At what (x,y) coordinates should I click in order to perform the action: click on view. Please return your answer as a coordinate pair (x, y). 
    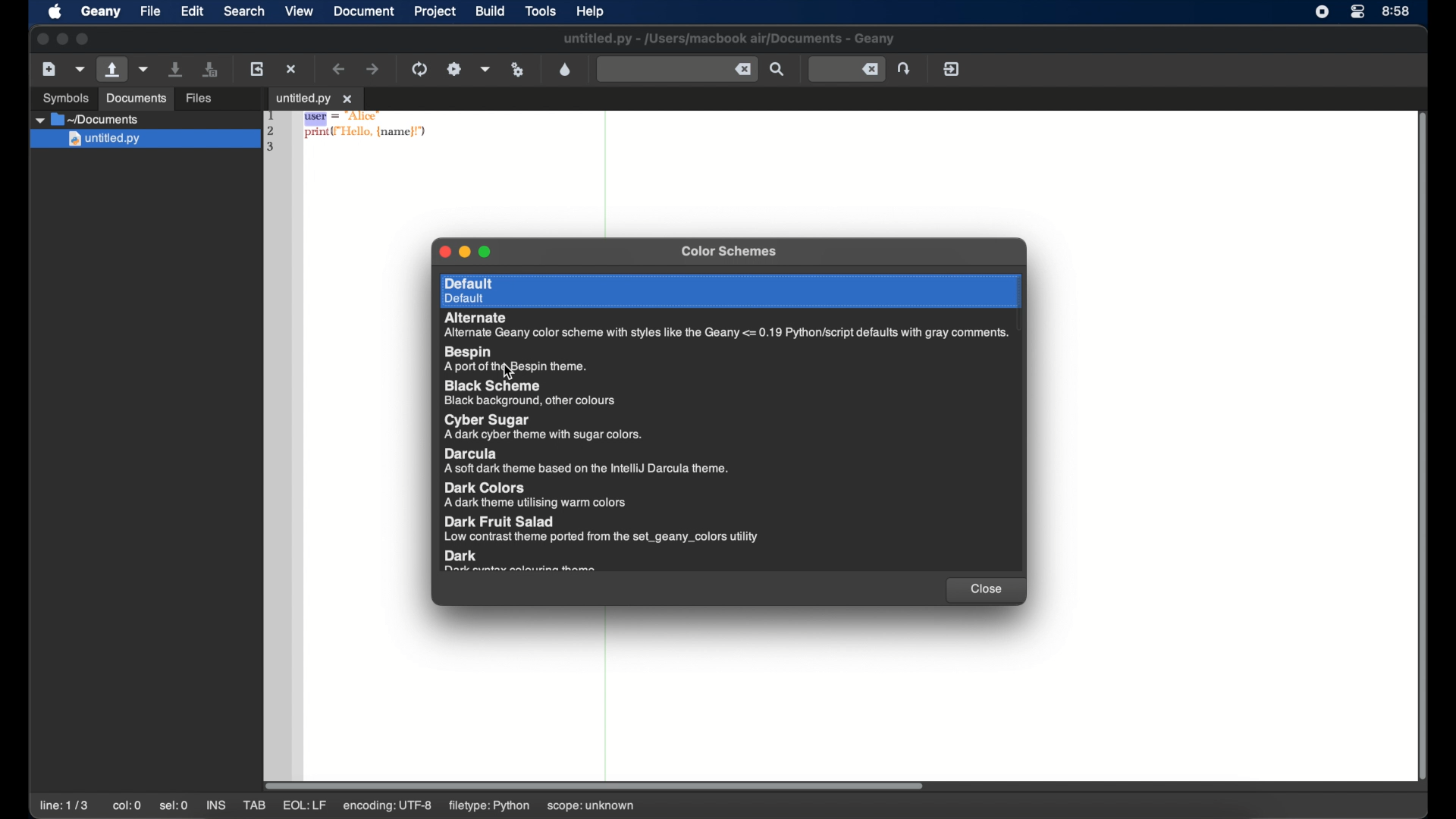
    Looking at the image, I should click on (300, 11).